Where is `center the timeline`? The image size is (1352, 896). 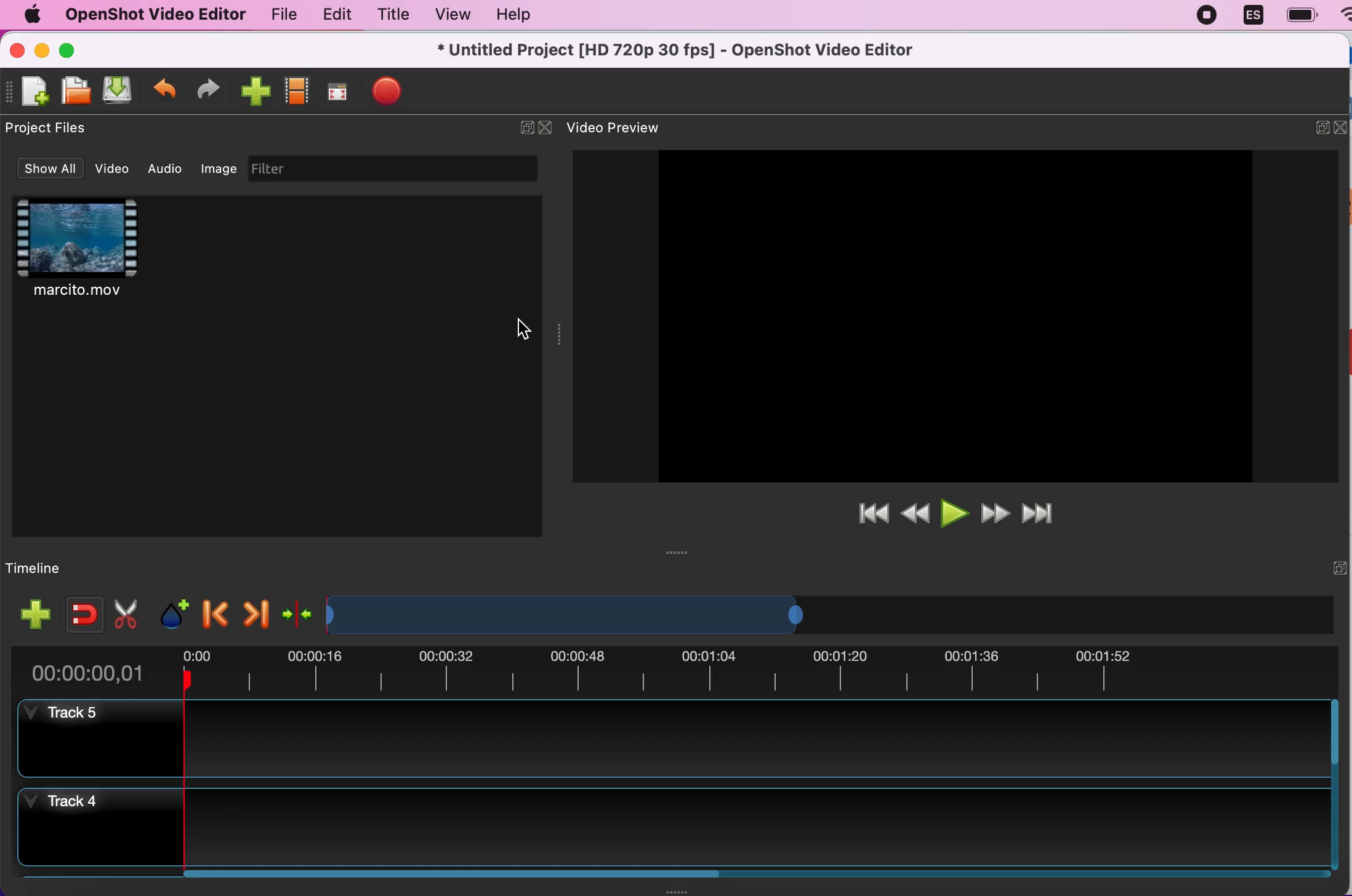 center the timeline is located at coordinates (299, 613).